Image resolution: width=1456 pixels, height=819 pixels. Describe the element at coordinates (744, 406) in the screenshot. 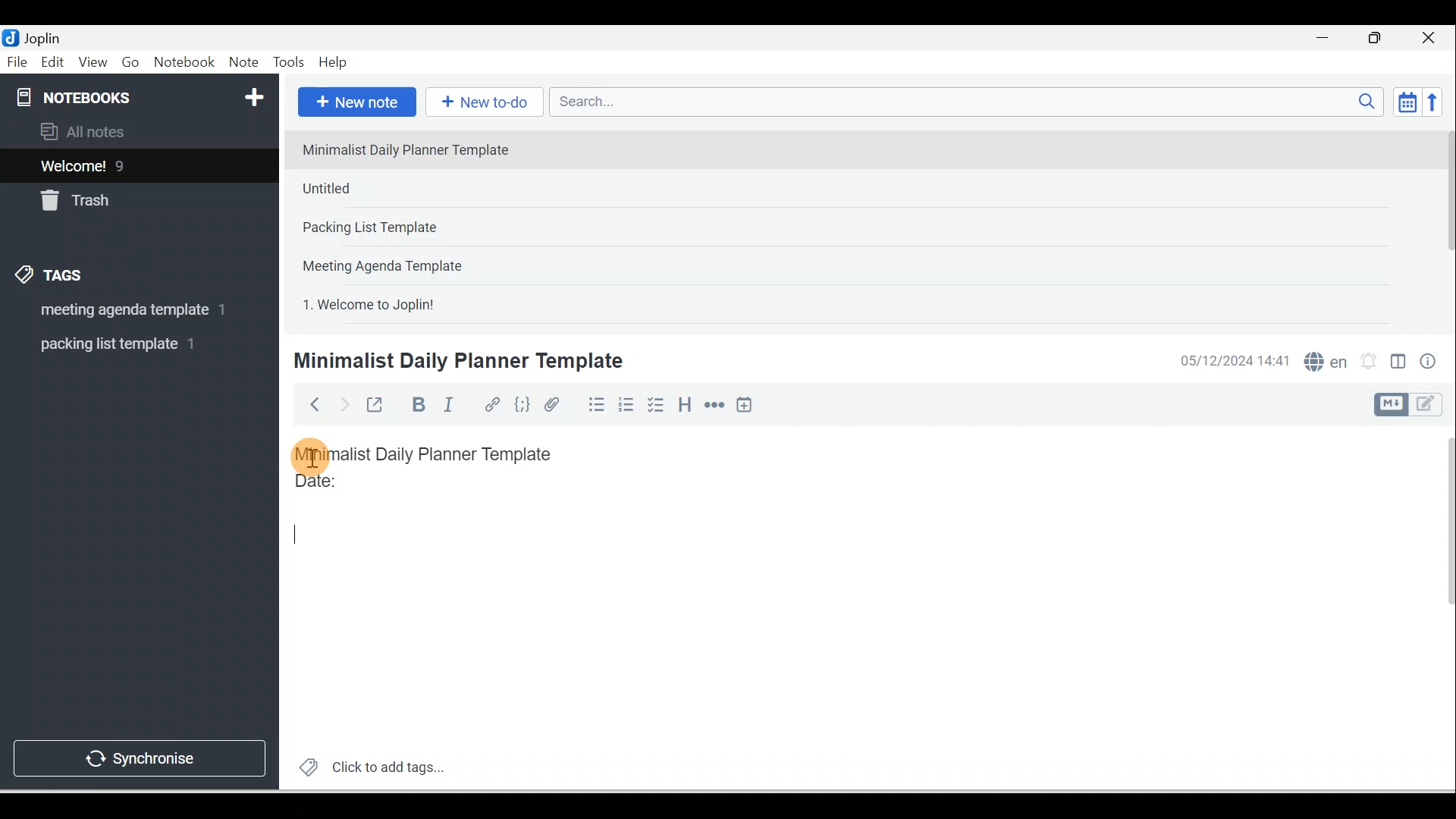

I see `Insert time` at that location.